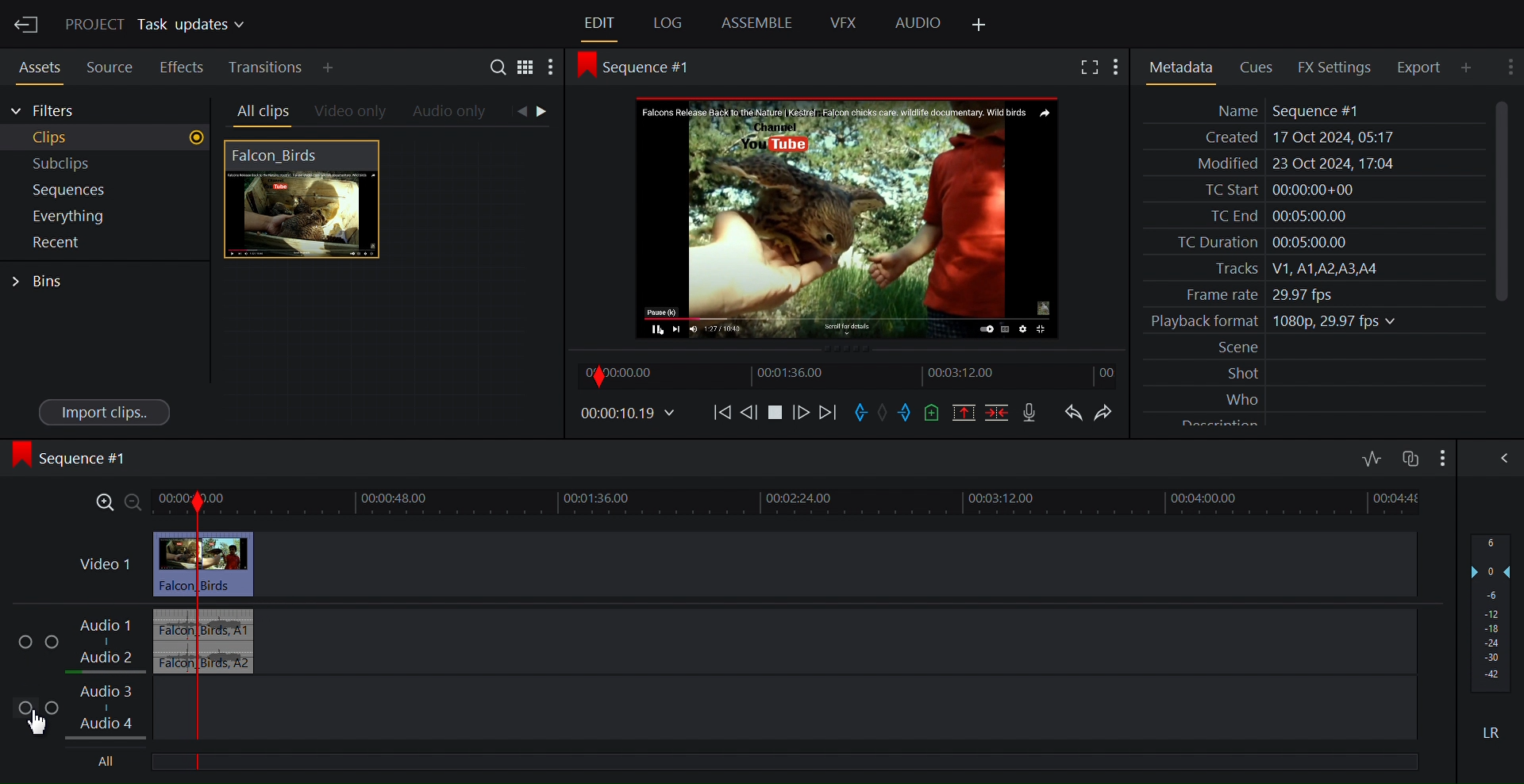 The image size is (1524, 784). What do you see at coordinates (935, 413) in the screenshot?
I see `Add a cue` at bounding box center [935, 413].